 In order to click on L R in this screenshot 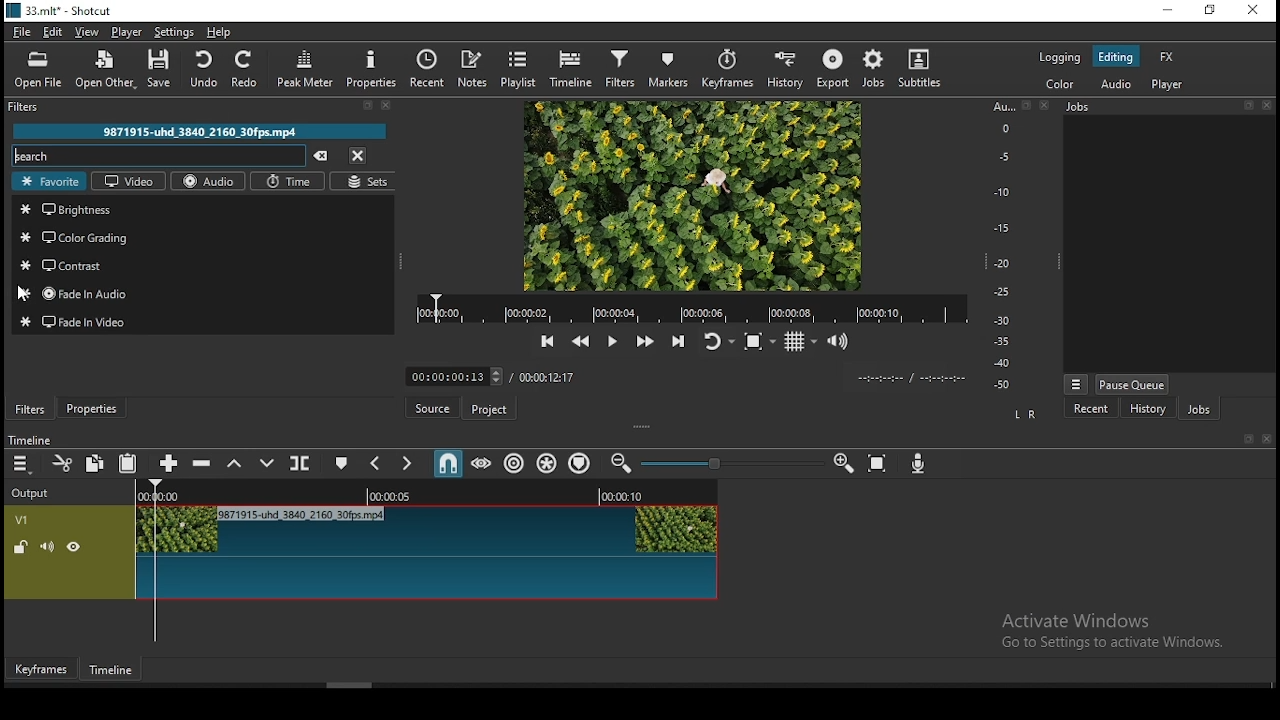, I will do `click(1021, 413)`.